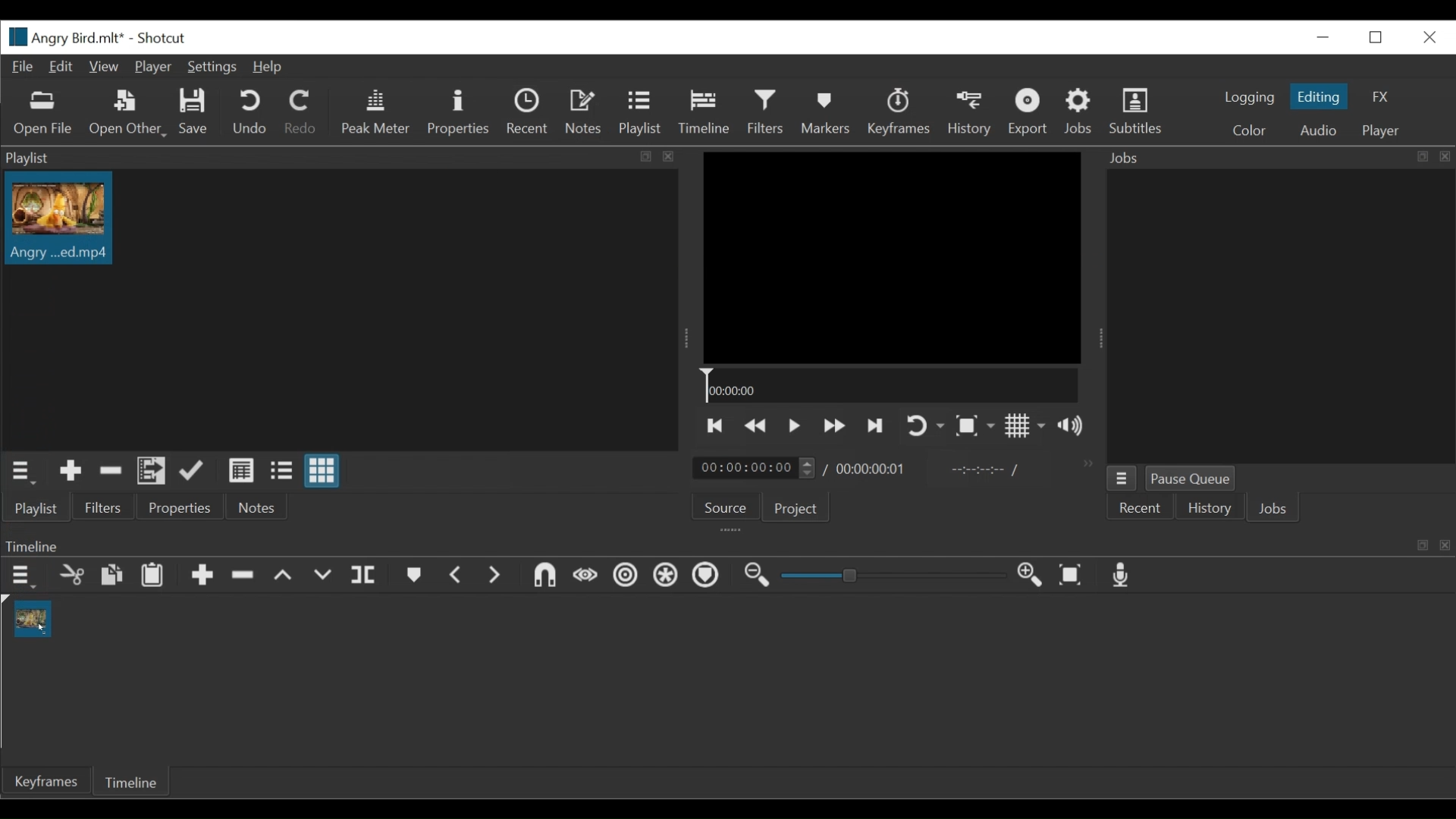 This screenshot has width=1456, height=819. I want to click on Help, so click(265, 67).